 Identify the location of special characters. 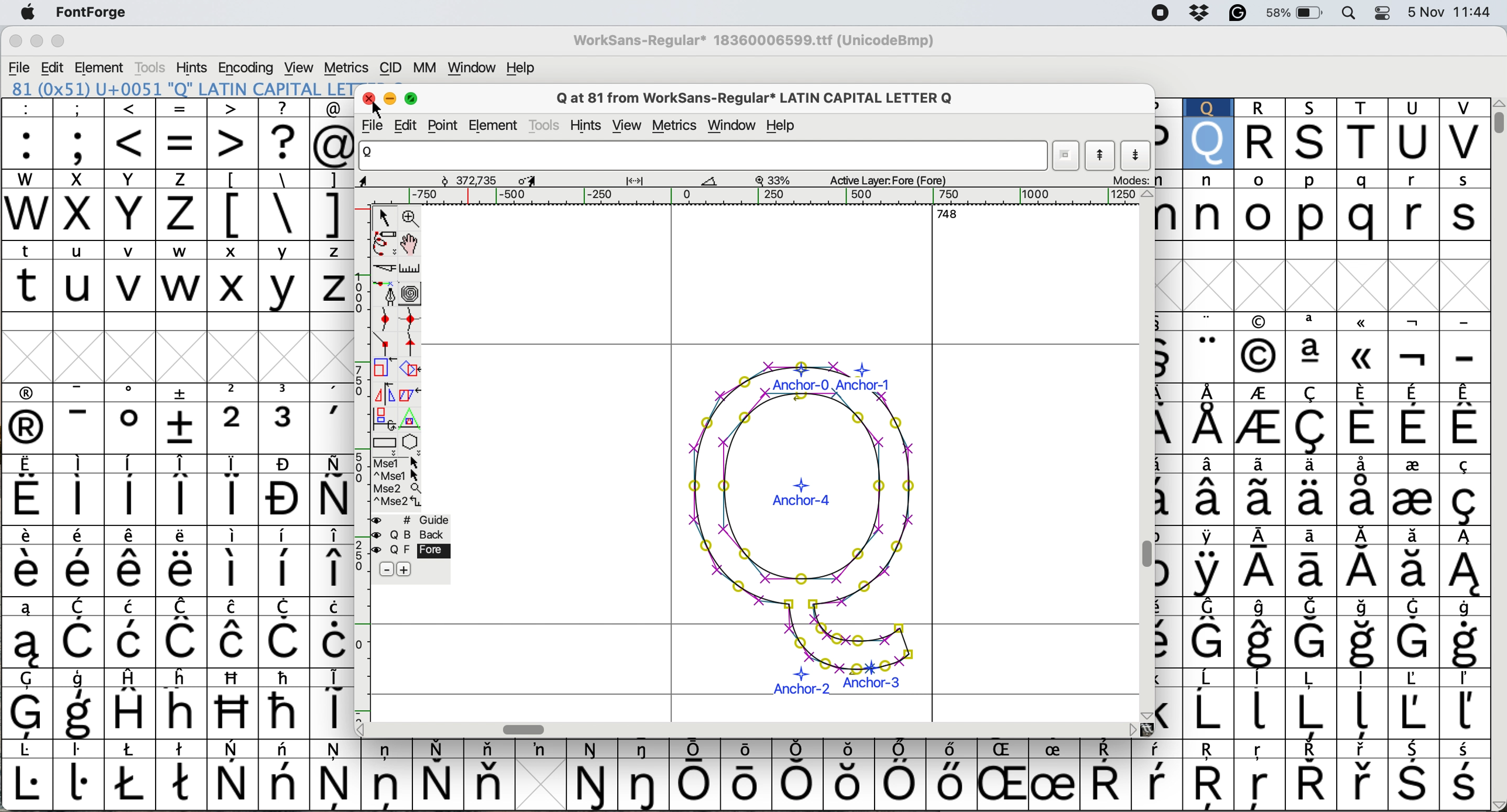
(283, 214).